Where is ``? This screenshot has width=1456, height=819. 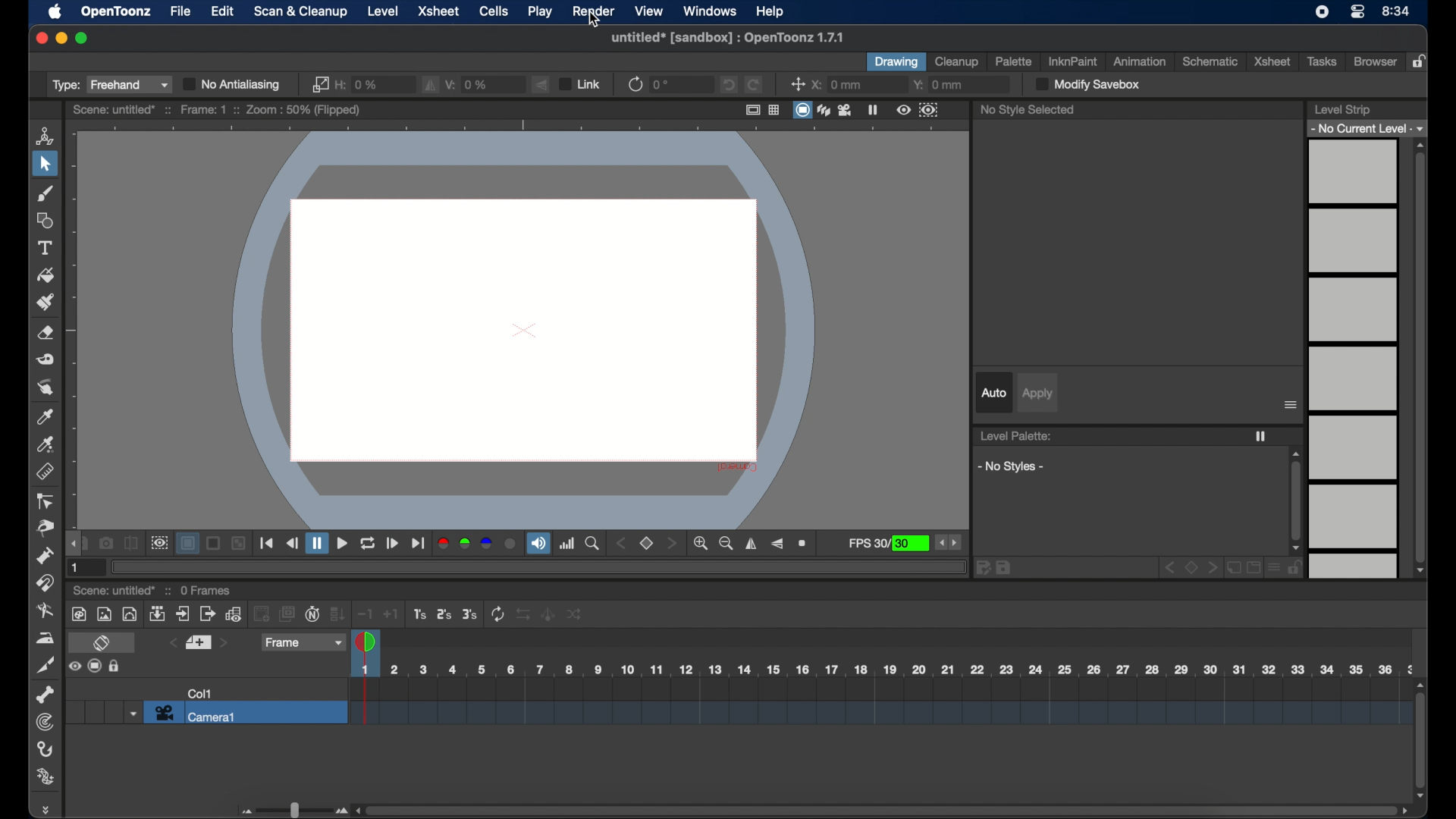  is located at coordinates (1298, 567).